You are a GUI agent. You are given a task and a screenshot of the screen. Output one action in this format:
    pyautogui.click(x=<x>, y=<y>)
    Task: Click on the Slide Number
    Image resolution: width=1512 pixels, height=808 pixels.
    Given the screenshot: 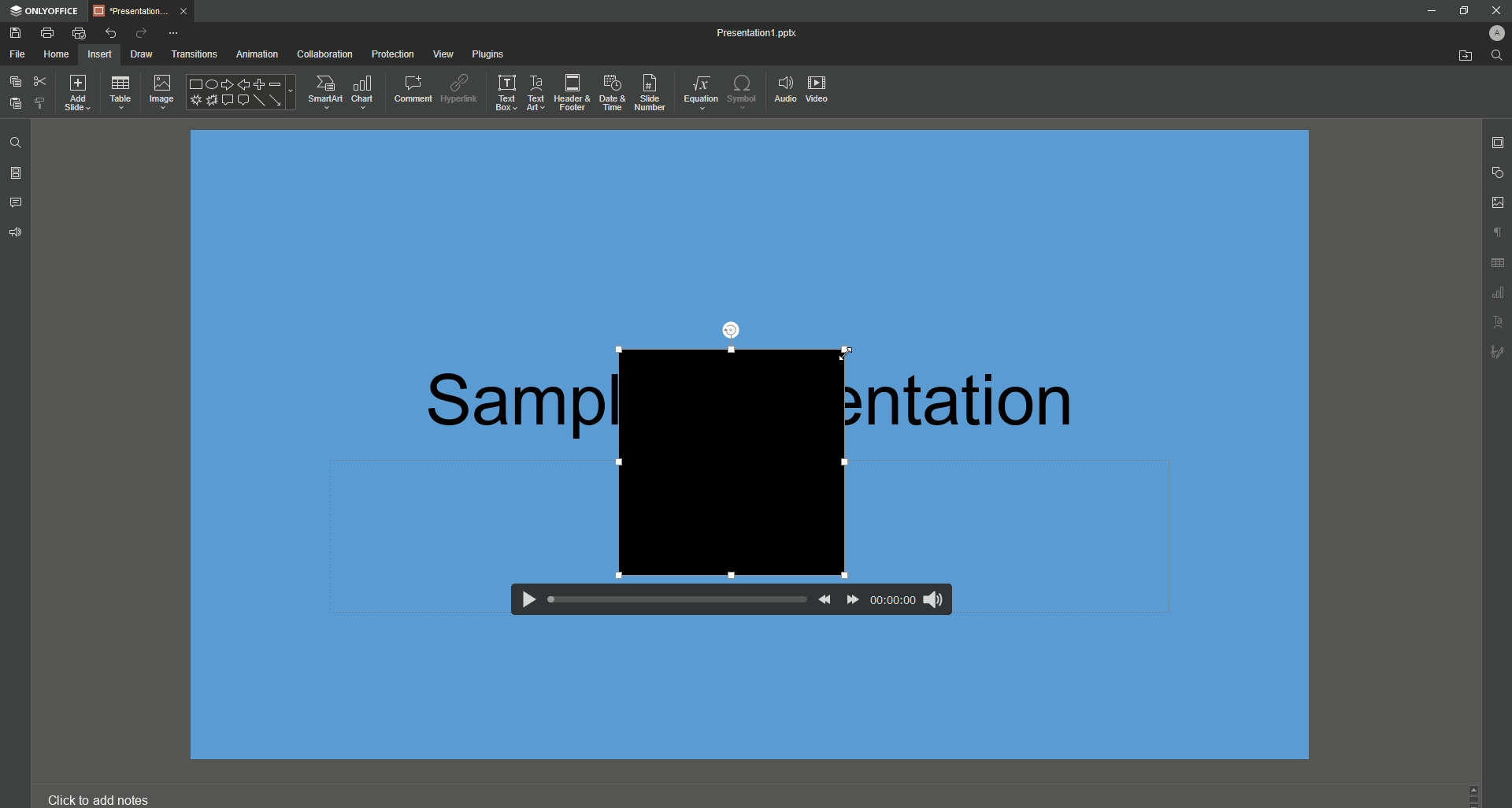 What is the action you would take?
    pyautogui.click(x=653, y=94)
    